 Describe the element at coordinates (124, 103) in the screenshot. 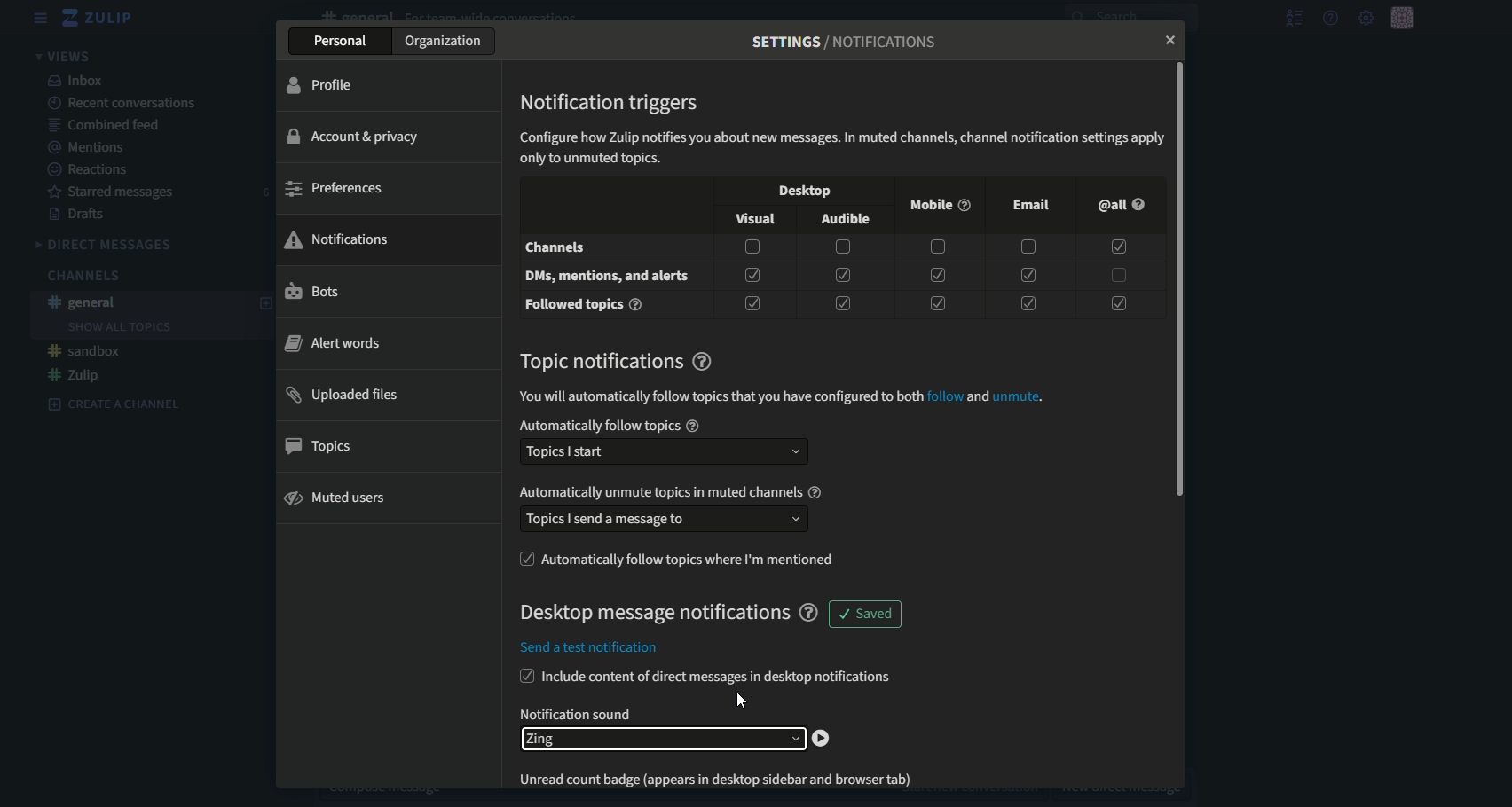

I see `recent conversations` at that location.